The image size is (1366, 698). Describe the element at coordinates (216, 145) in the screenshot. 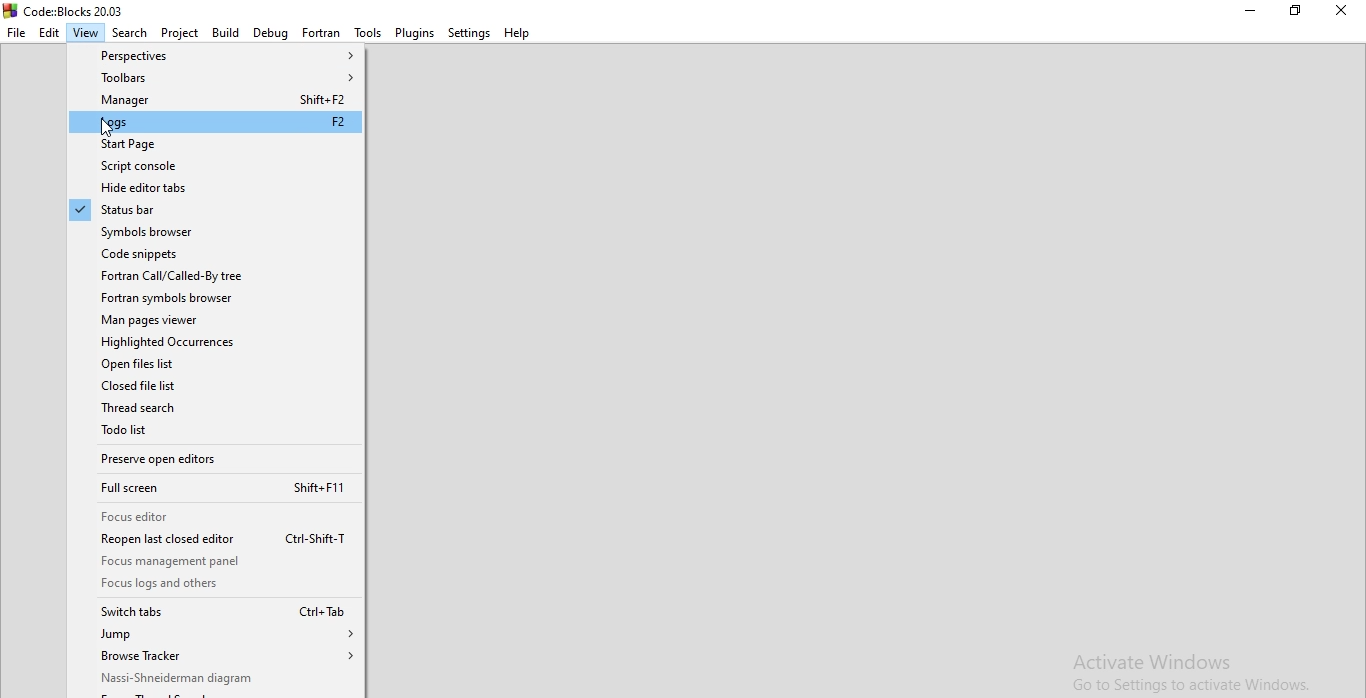

I see `Start Page` at that location.